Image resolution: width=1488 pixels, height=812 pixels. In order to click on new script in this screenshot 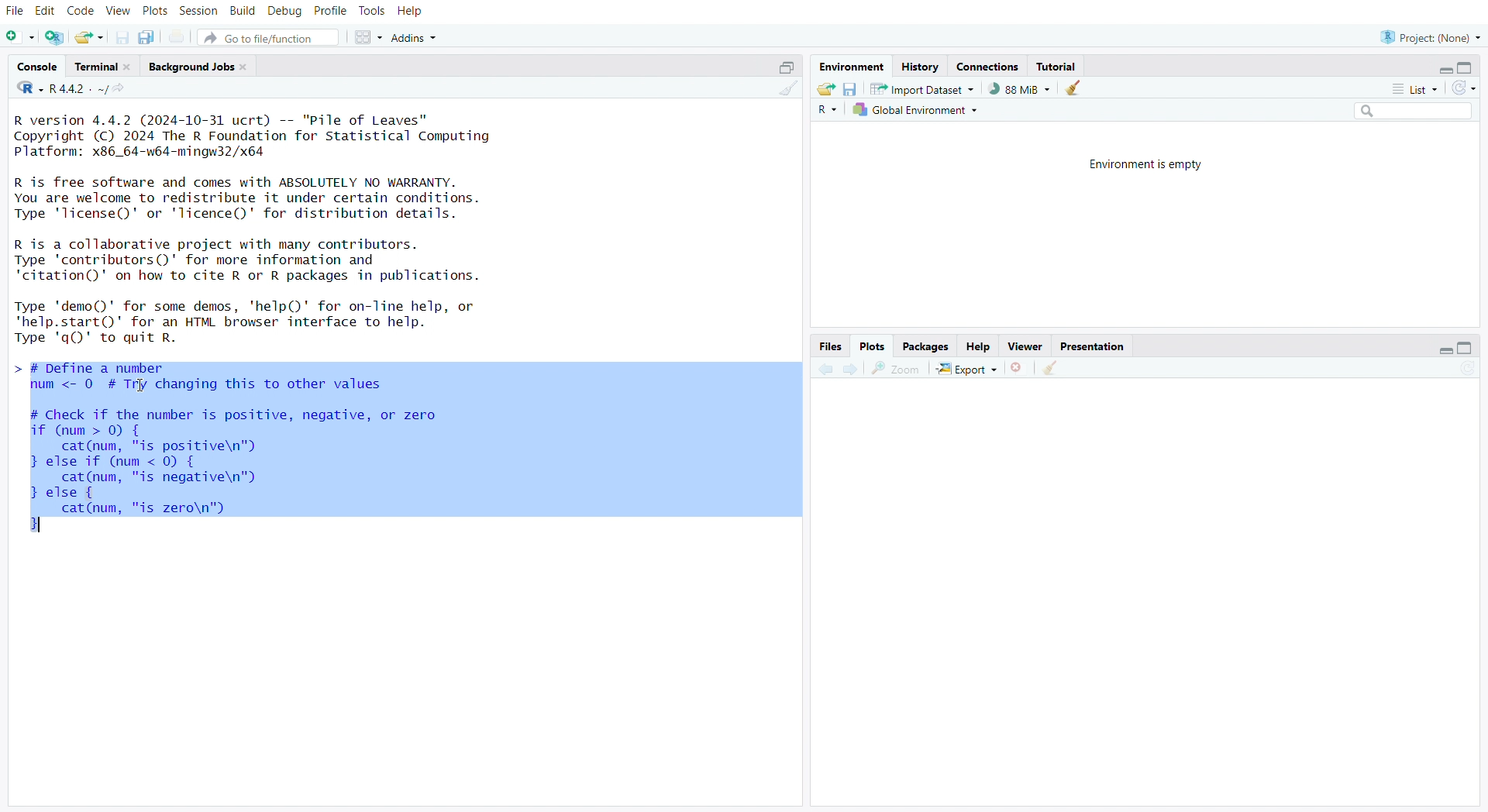, I will do `click(21, 38)`.